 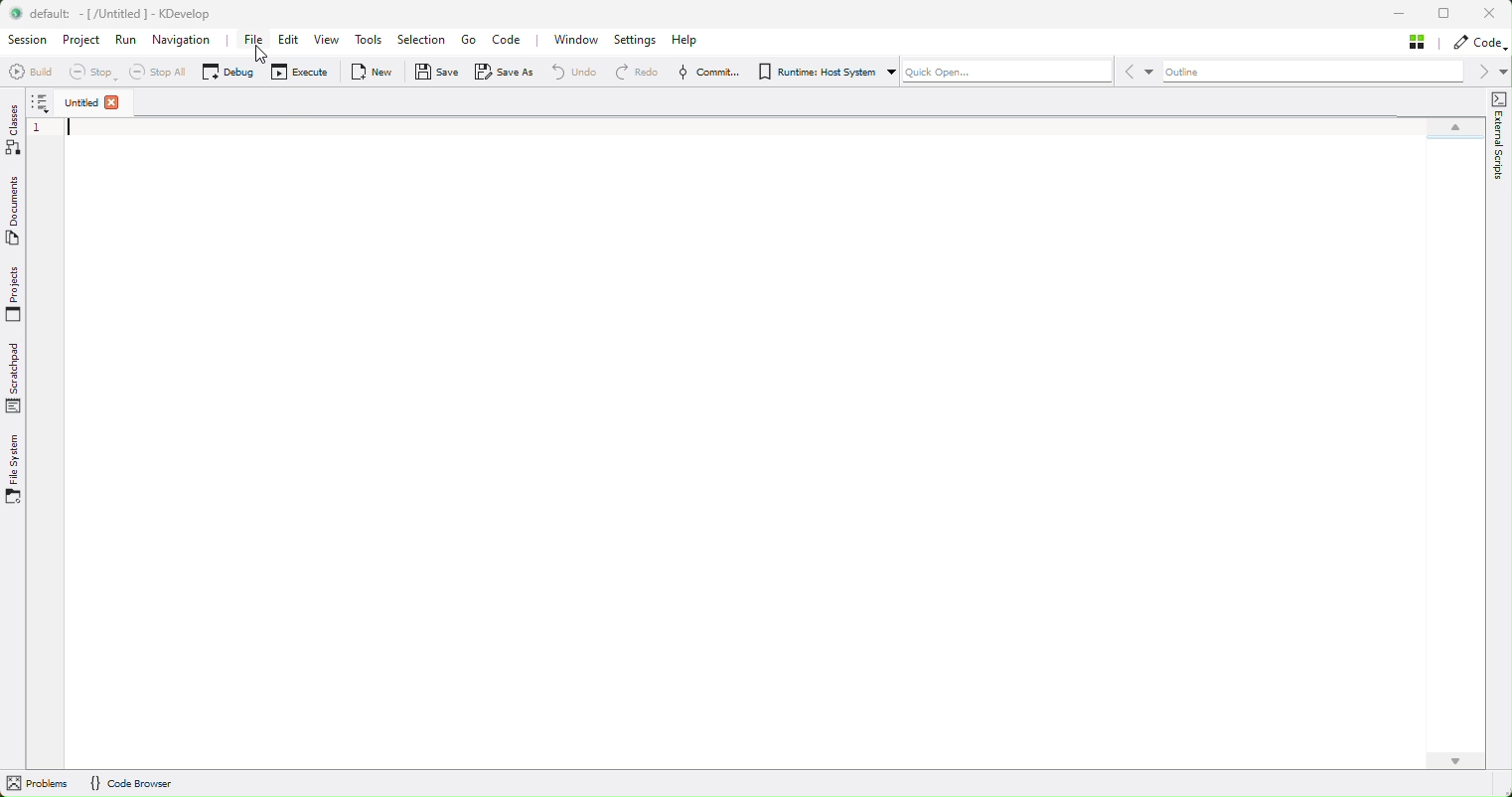 What do you see at coordinates (1477, 43) in the screenshot?
I see `code` at bounding box center [1477, 43].